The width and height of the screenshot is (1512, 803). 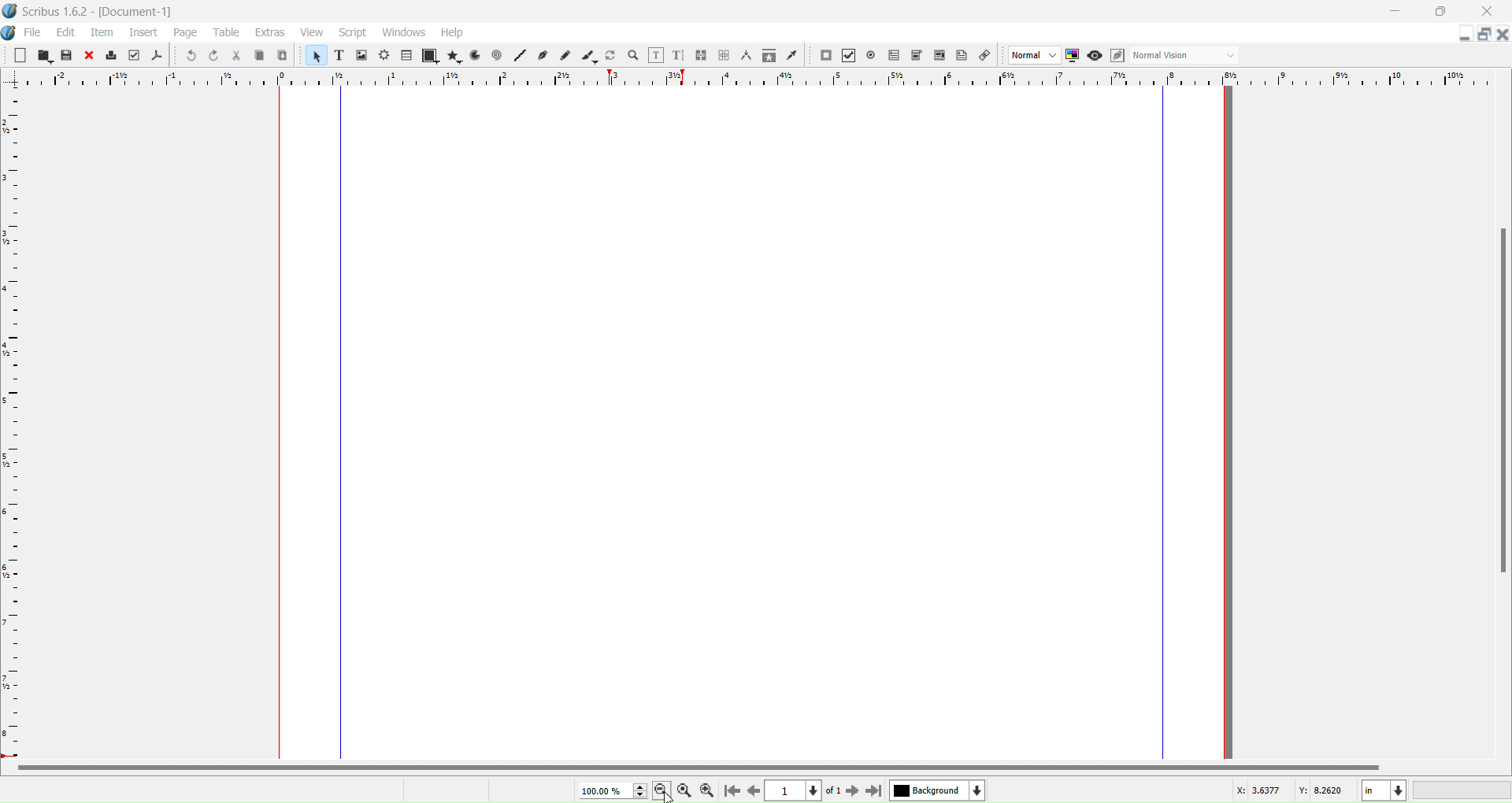 I want to click on Link Annotations, so click(x=984, y=55).